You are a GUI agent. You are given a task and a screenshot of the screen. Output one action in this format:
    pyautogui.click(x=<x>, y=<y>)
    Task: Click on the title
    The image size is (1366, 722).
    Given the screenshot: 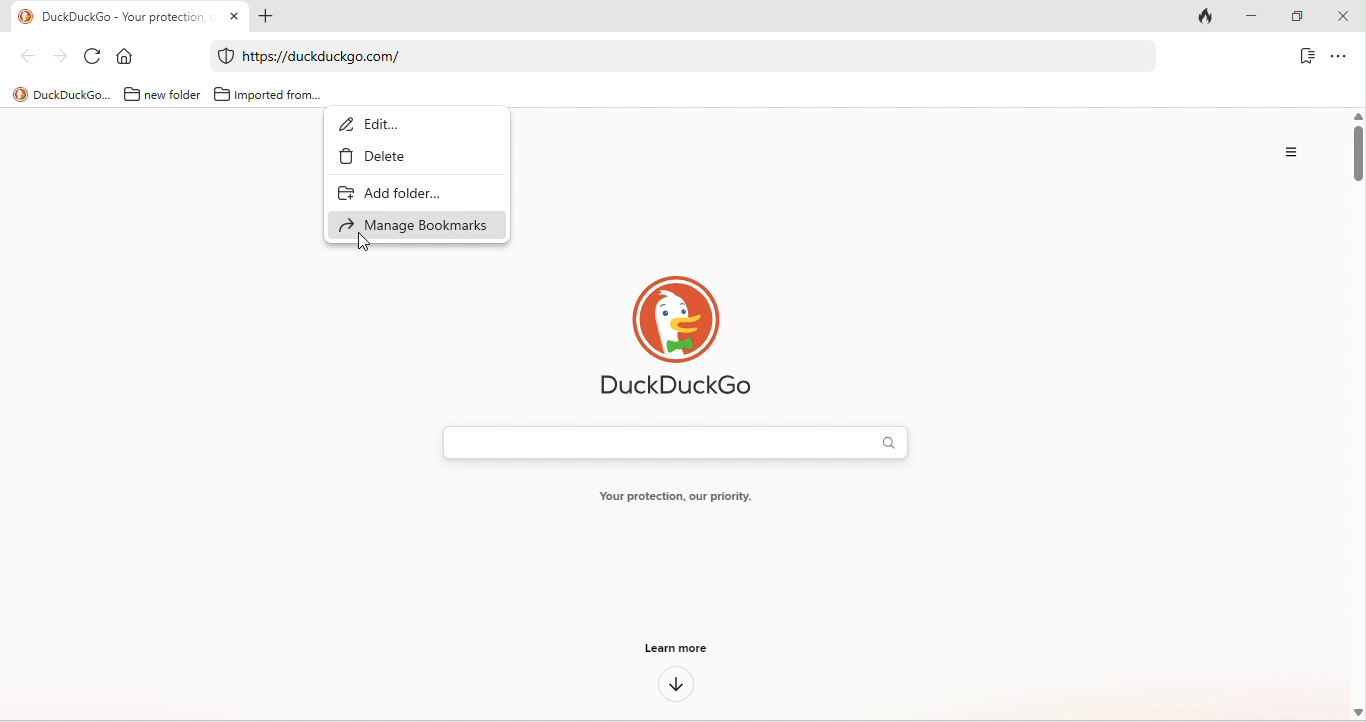 What is the action you would take?
    pyautogui.click(x=58, y=94)
    